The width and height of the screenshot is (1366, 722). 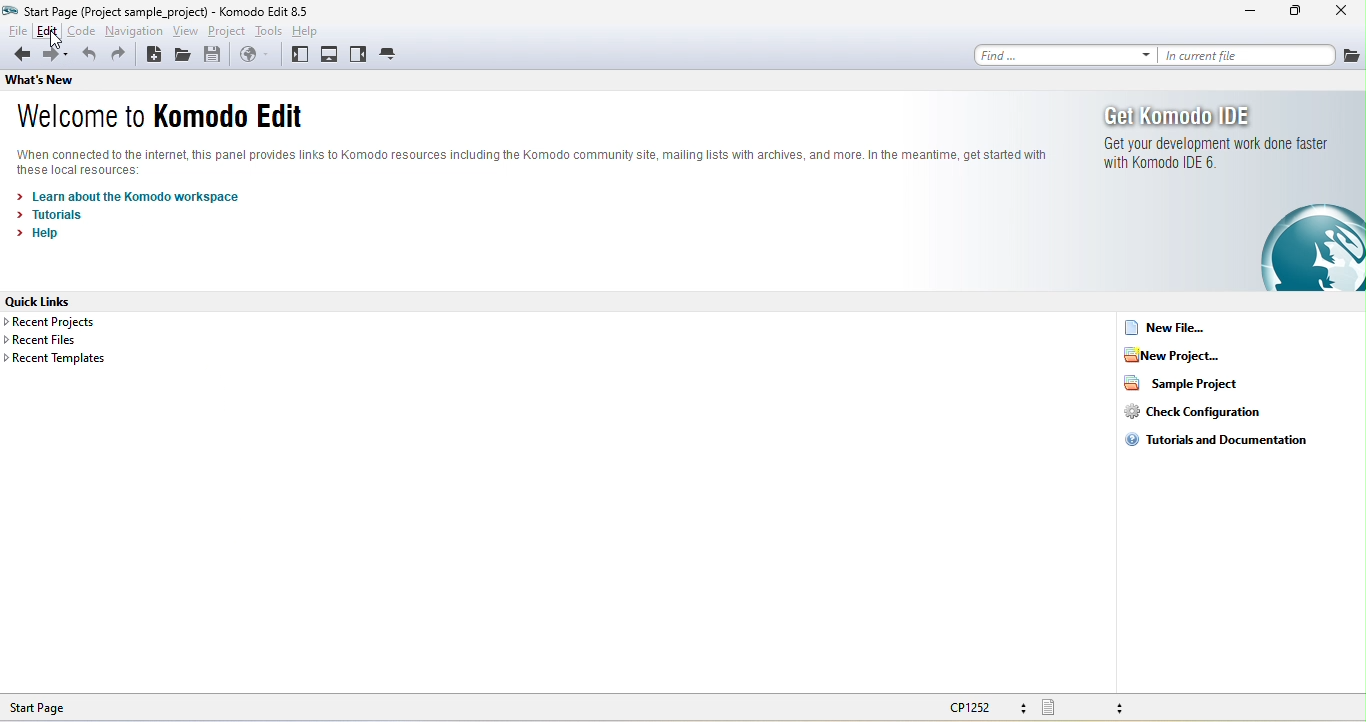 I want to click on save, so click(x=216, y=56).